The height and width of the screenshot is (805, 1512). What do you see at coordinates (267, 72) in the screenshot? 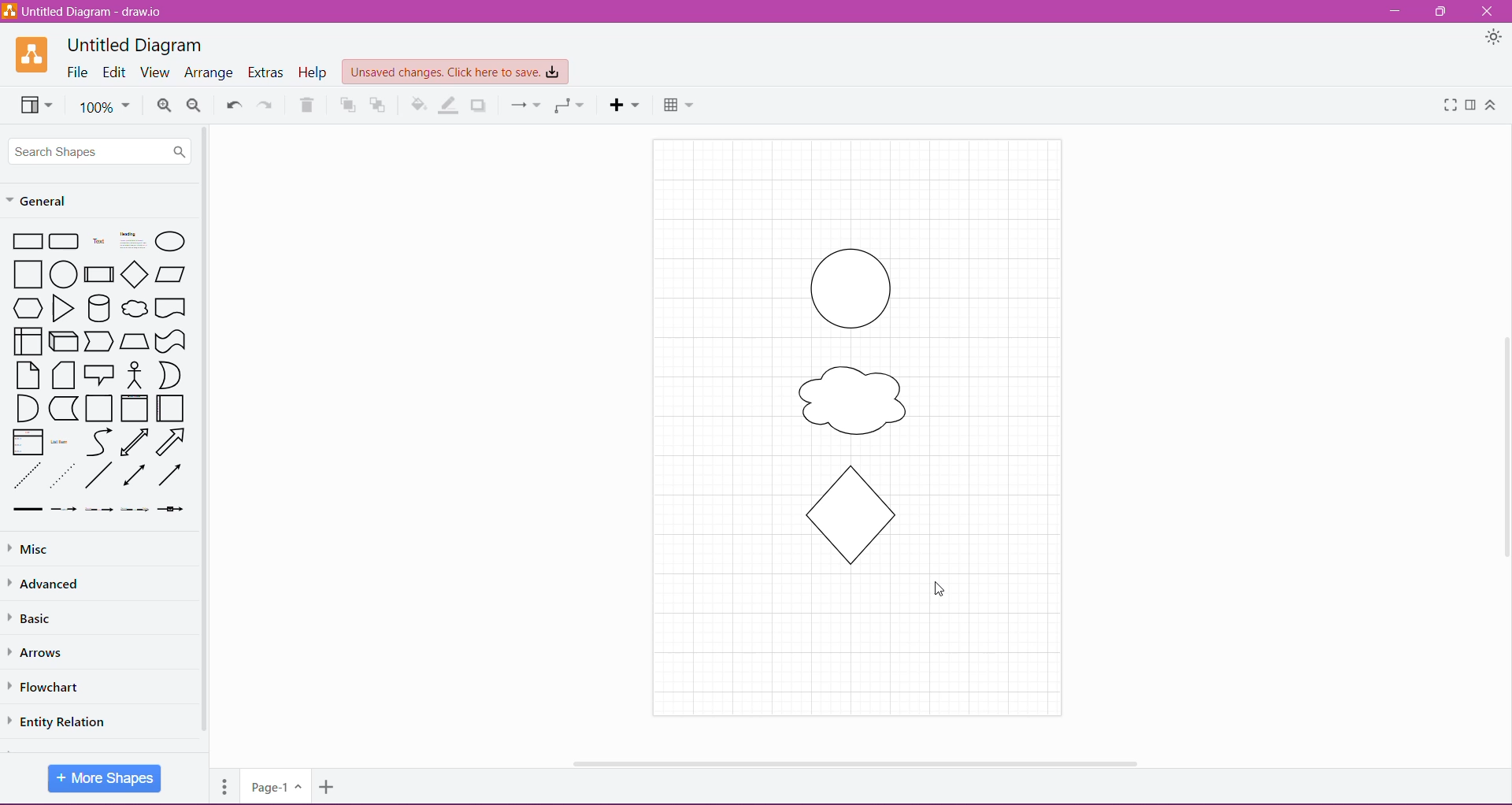
I see `Extras` at bounding box center [267, 72].